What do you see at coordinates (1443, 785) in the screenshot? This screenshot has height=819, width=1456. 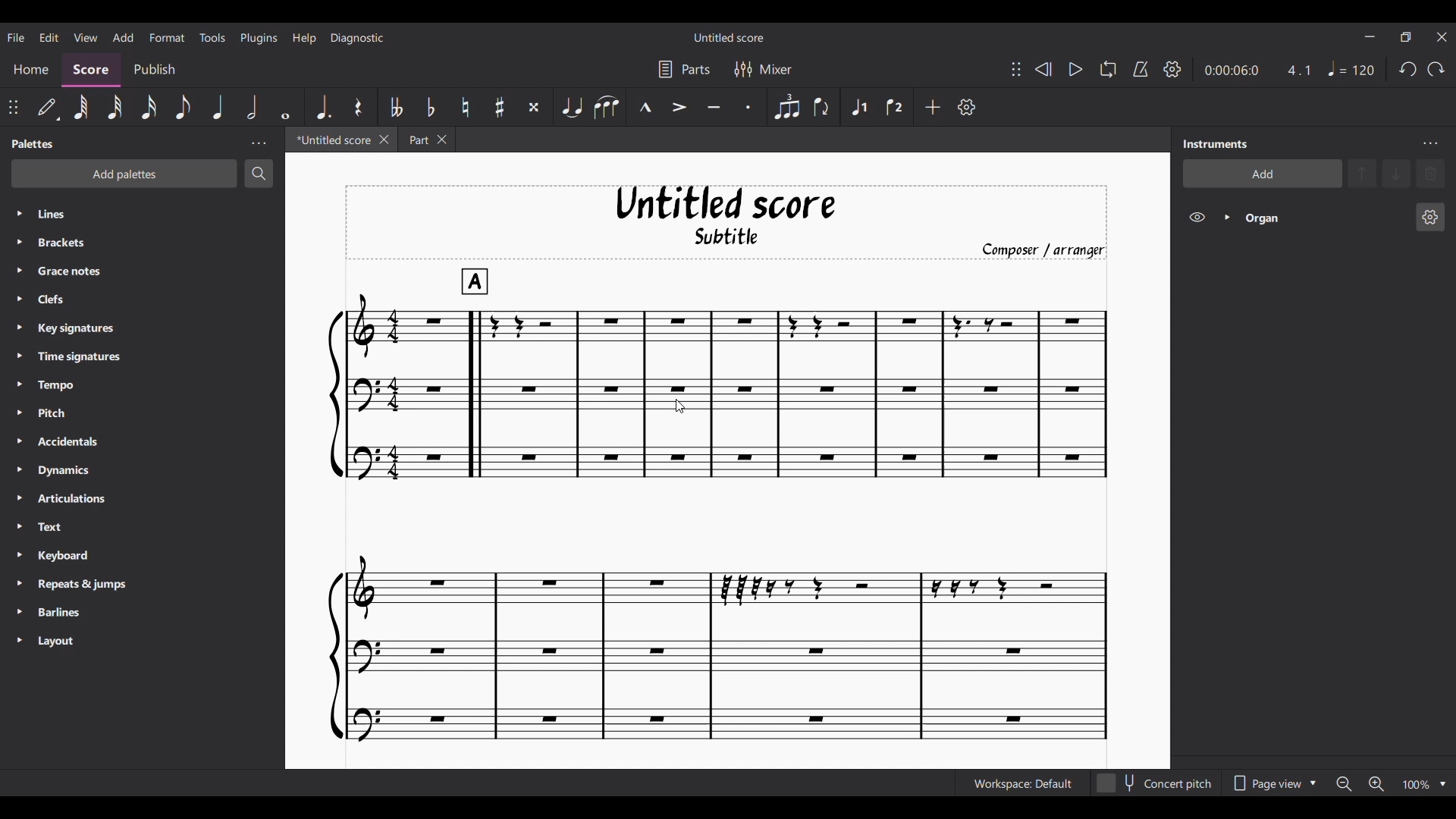 I see `Zoom options` at bounding box center [1443, 785].